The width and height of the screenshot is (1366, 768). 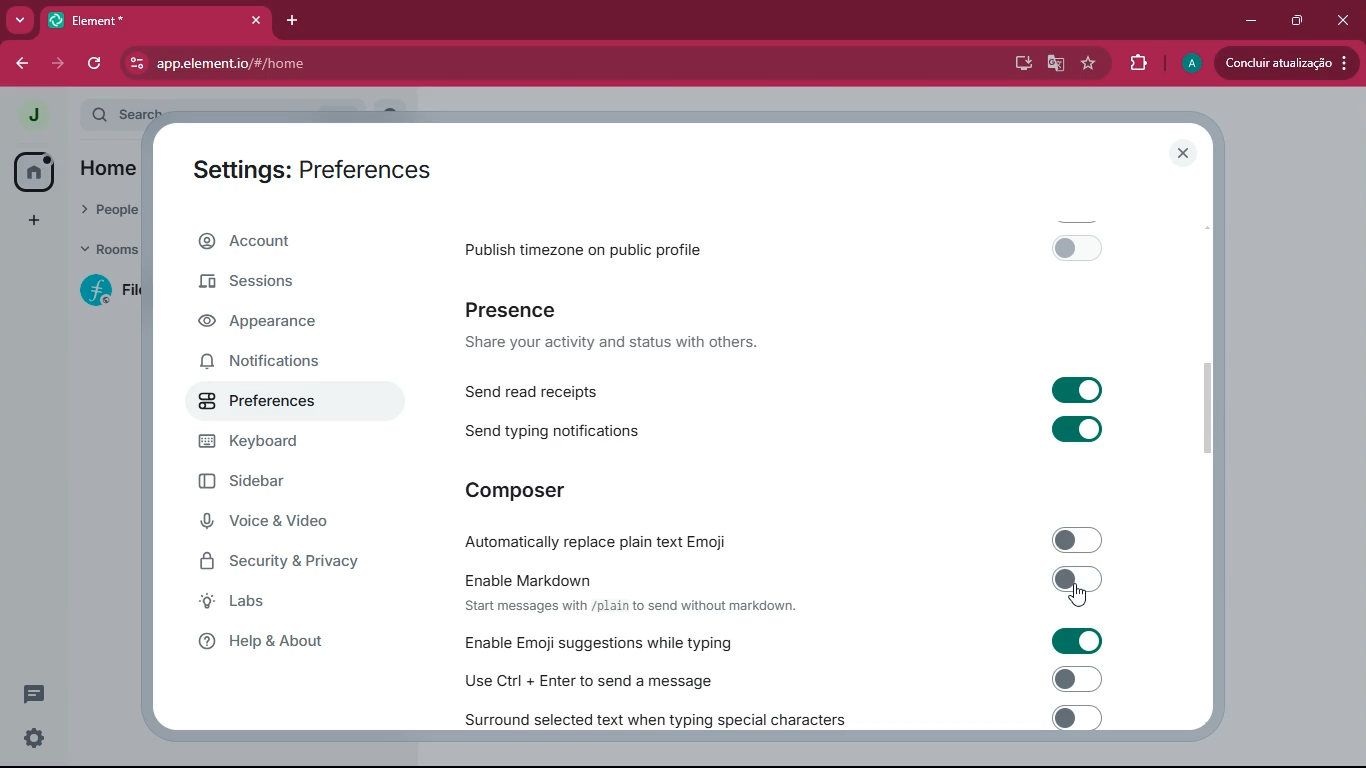 What do you see at coordinates (280, 447) in the screenshot?
I see `keyboard` at bounding box center [280, 447].